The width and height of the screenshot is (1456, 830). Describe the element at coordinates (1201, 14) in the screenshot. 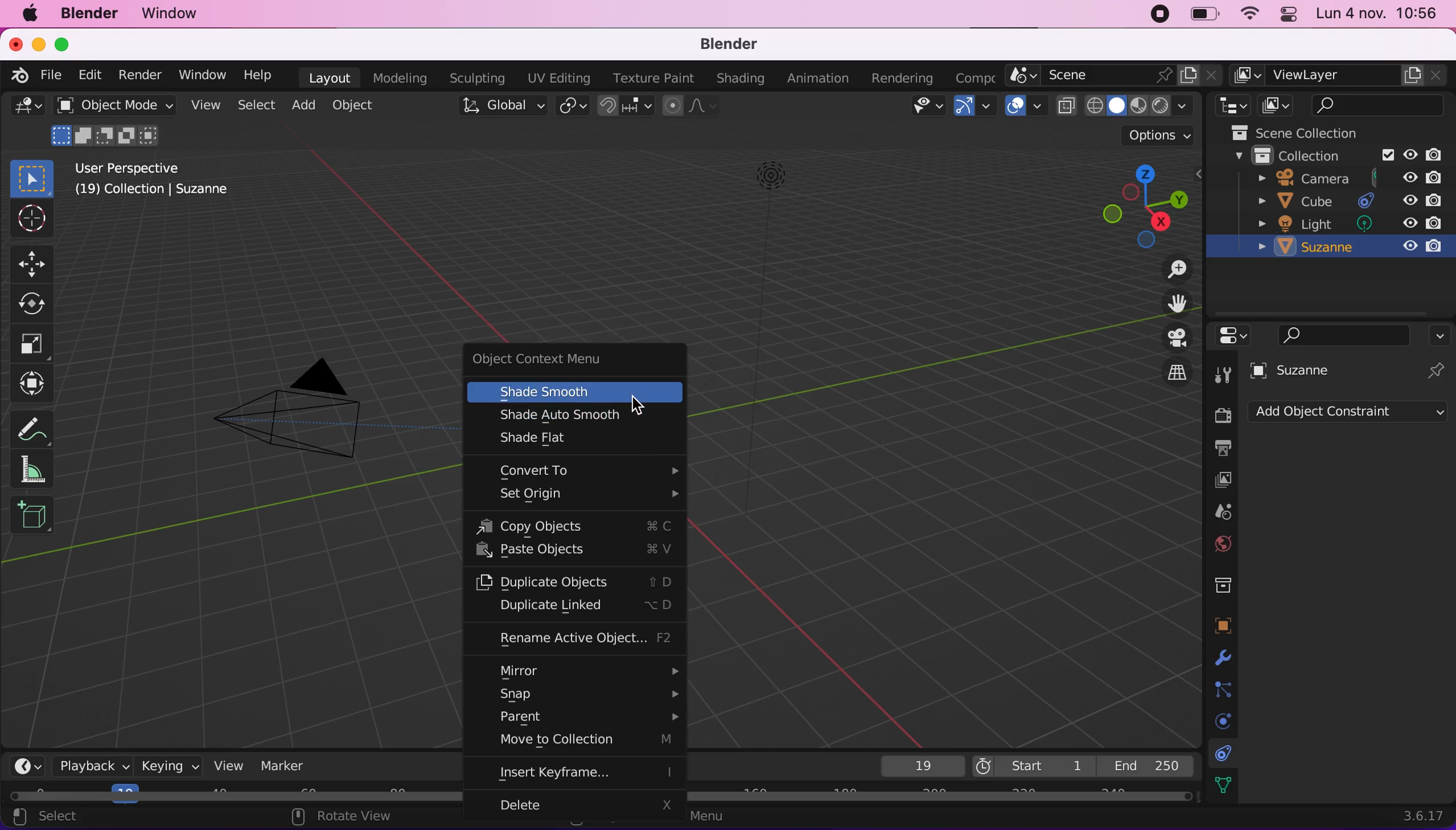

I see `battery` at that location.